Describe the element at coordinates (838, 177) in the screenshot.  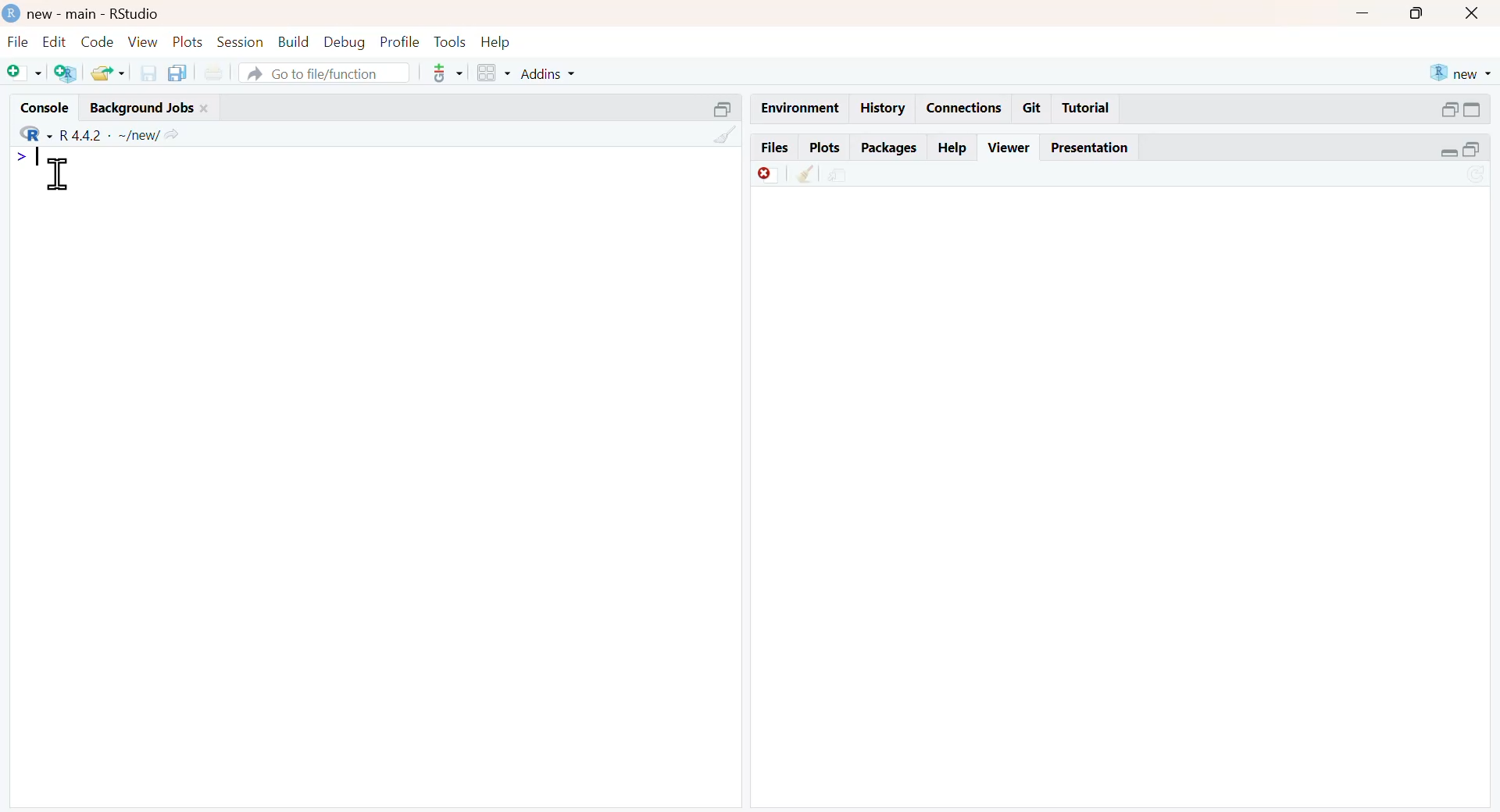
I see `environment` at that location.